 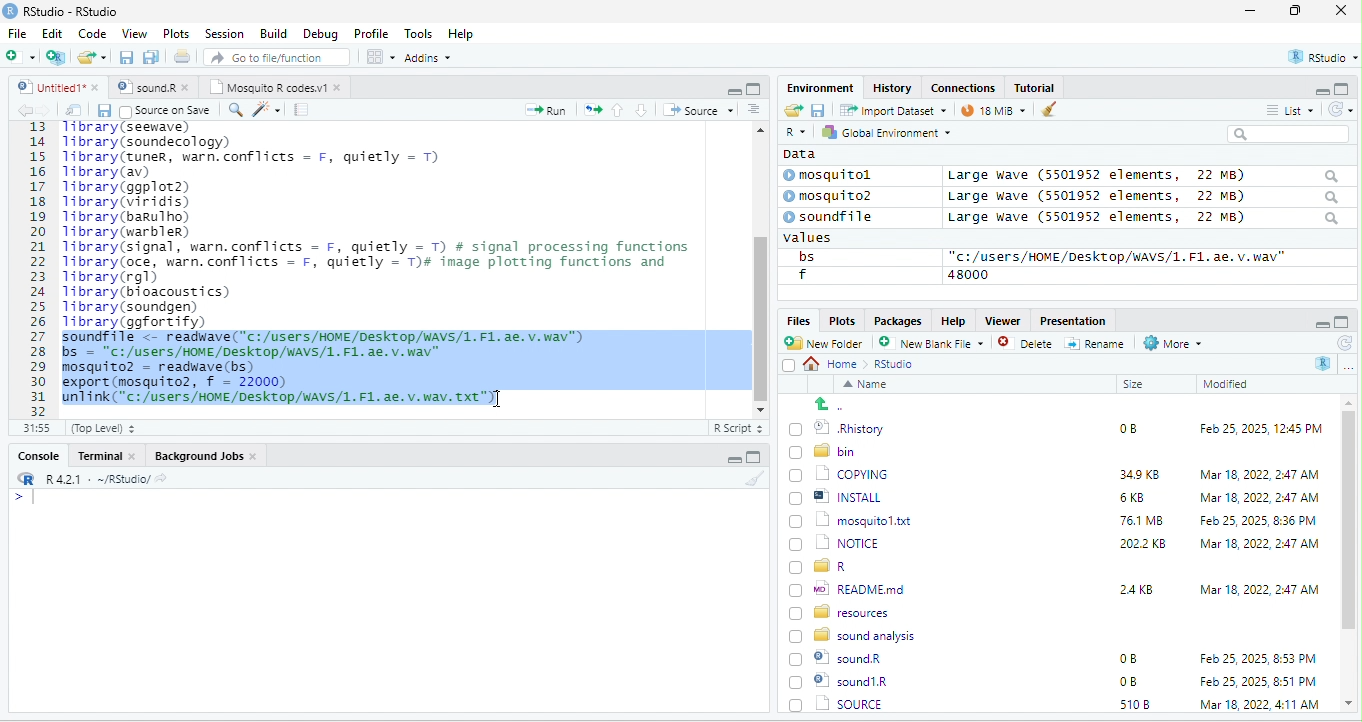 What do you see at coordinates (753, 108) in the screenshot?
I see `sort` at bounding box center [753, 108].